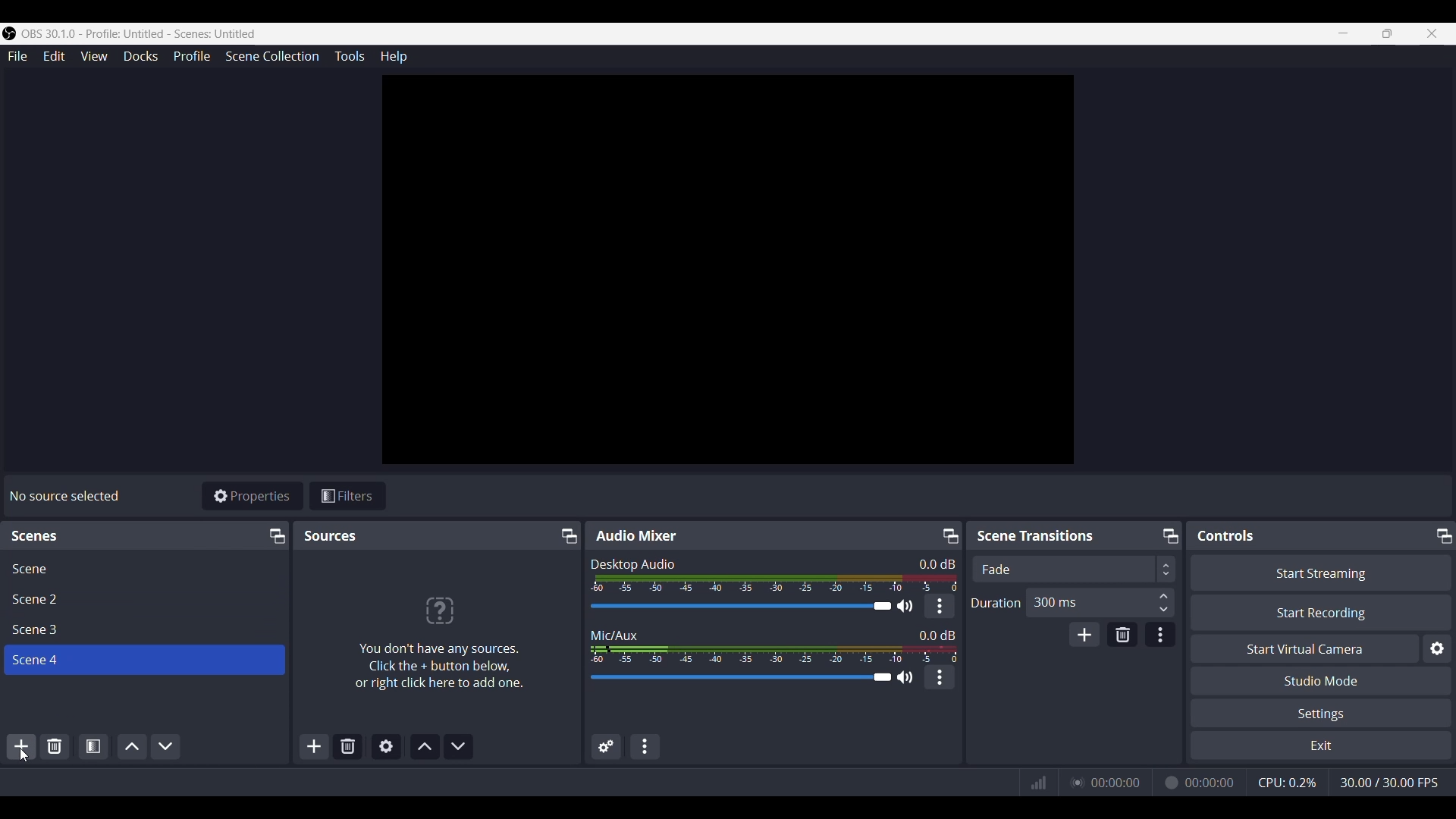 The width and height of the screenshot is (1456, 819). What do you see at coordinates (145, 567) in the screenshot?
I see `Scene` at bounding box center [145, 567].